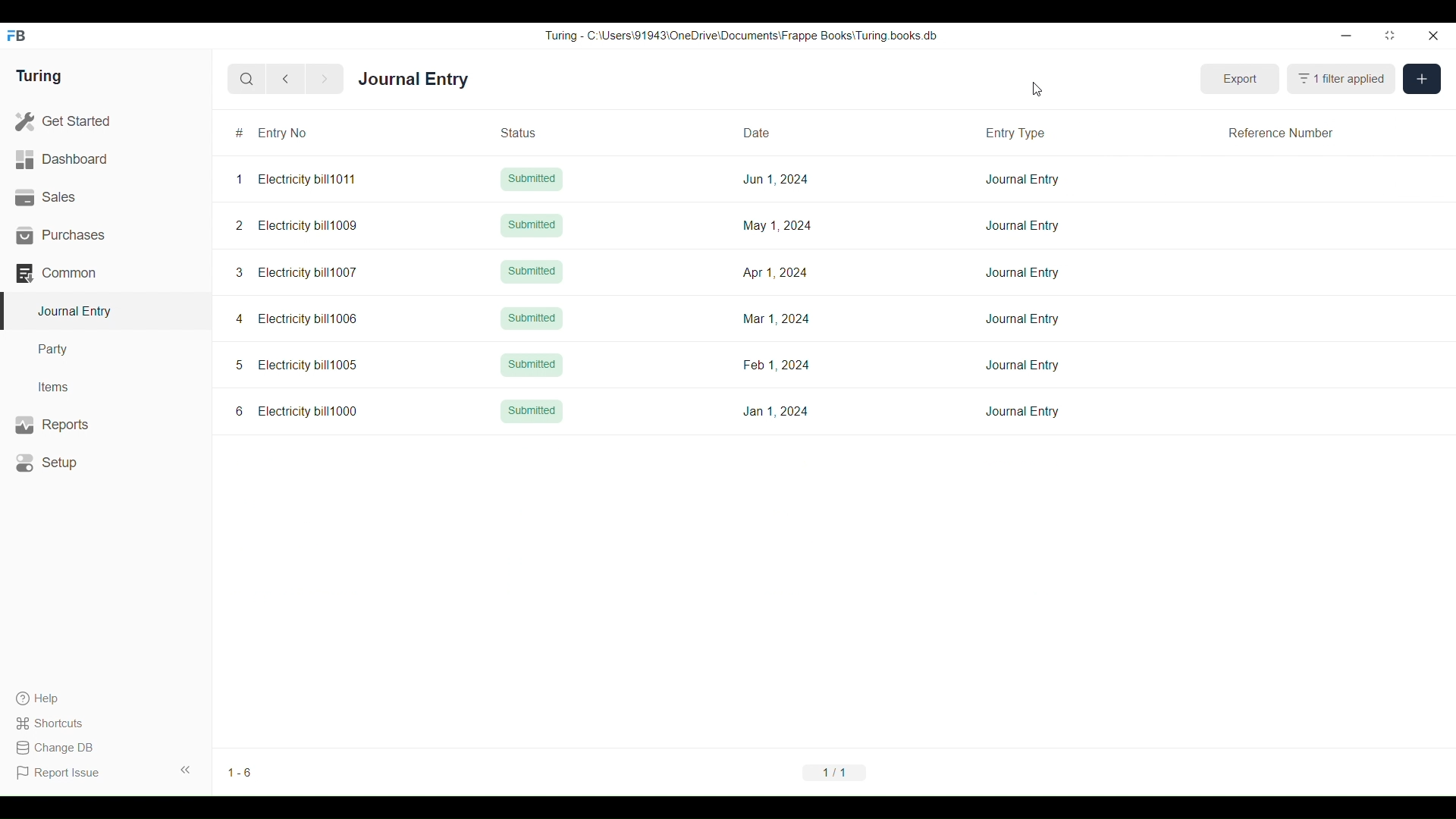  I want to click on Journal Entry, so click(1024, 272).